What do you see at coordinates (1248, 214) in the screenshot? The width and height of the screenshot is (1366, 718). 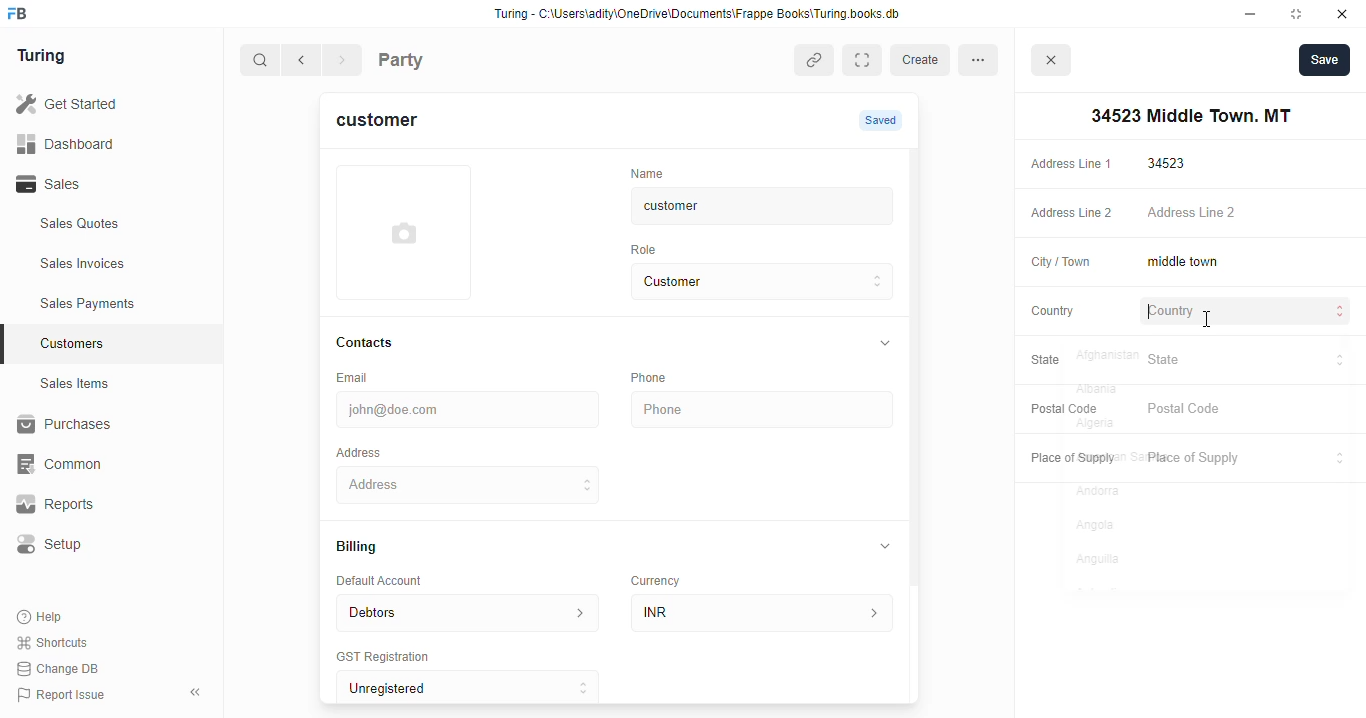 I see `Address Line 2` at bounding box center [1248, 214].